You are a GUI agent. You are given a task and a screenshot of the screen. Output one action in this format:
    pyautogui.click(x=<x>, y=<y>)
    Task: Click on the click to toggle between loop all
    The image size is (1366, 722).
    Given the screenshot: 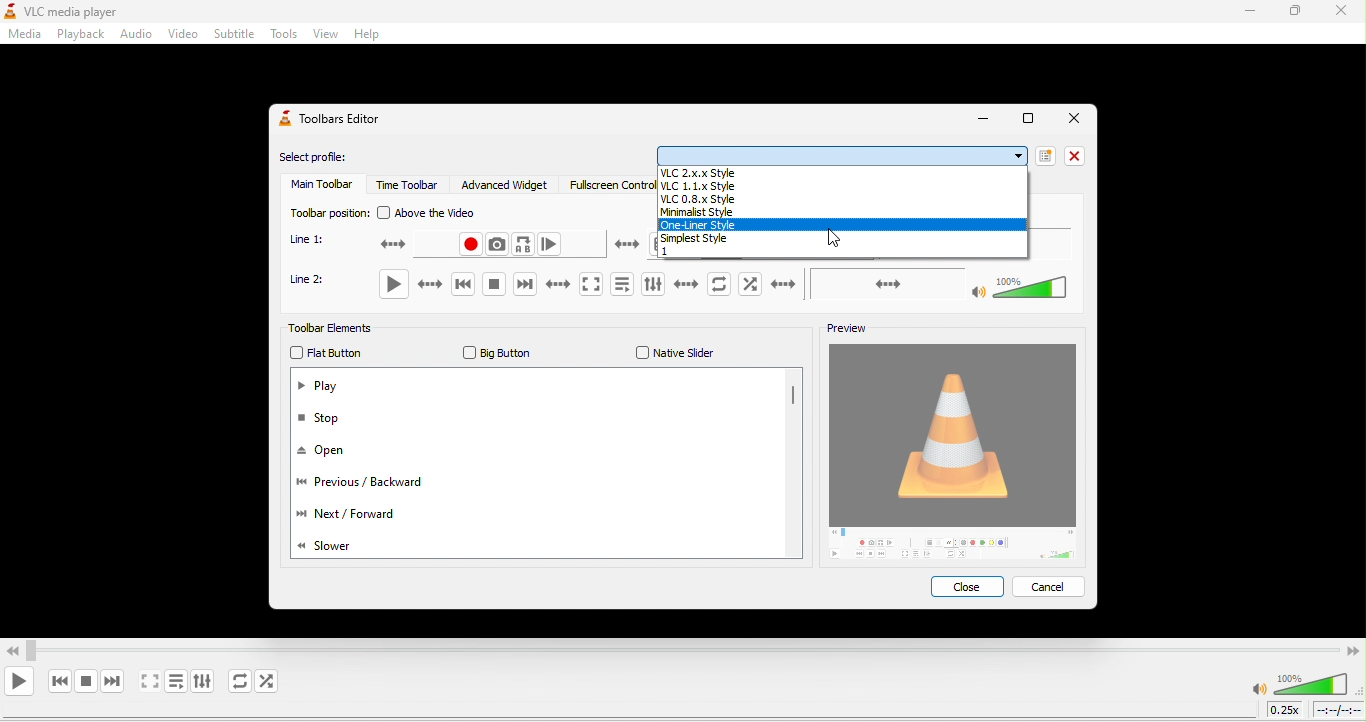 What is the action you would take?
    pyautogui.click(x=720, y=285)
    